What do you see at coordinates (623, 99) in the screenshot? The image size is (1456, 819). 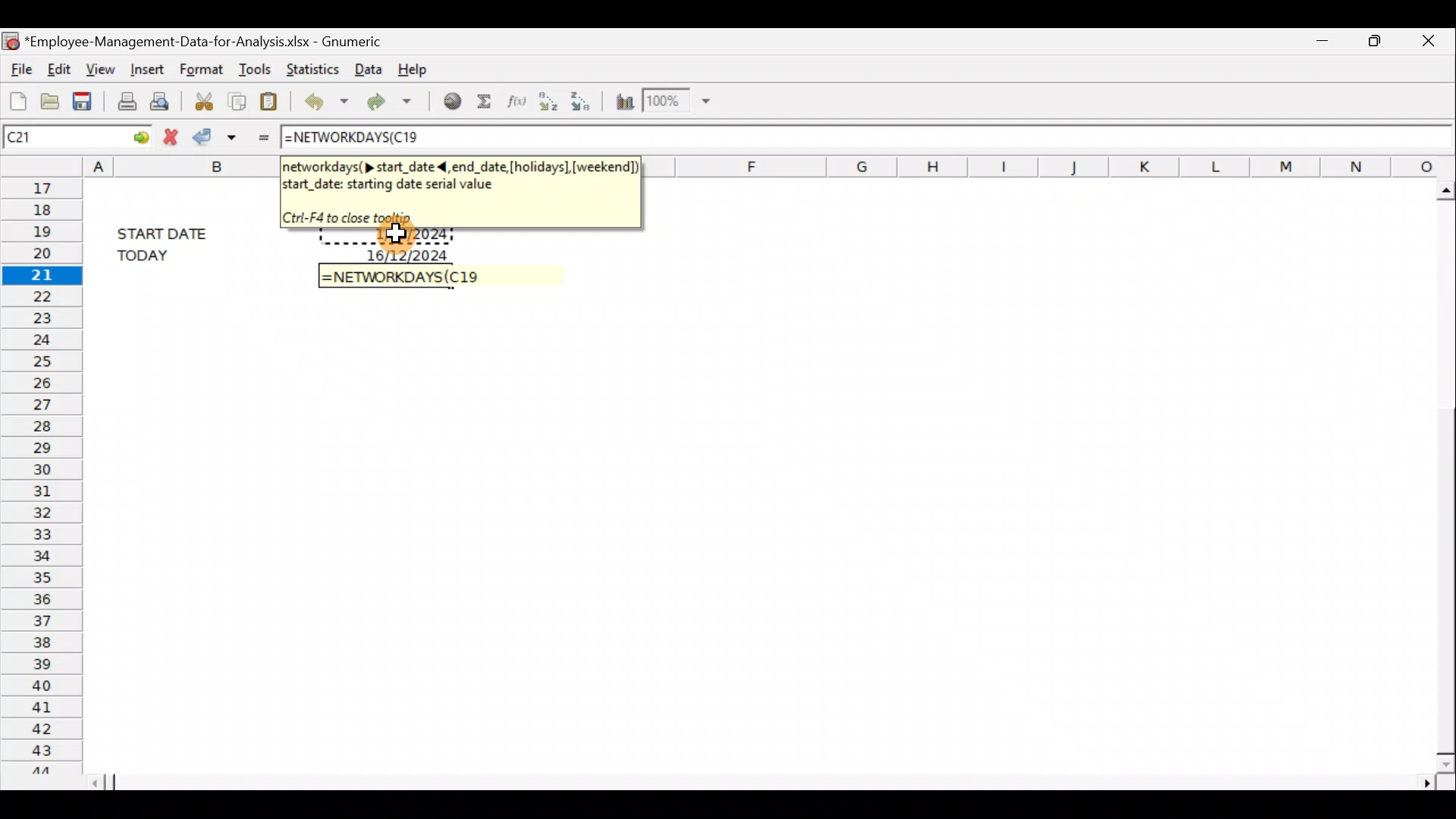 I see `Insert a chart` at bounding box center [623, 99].